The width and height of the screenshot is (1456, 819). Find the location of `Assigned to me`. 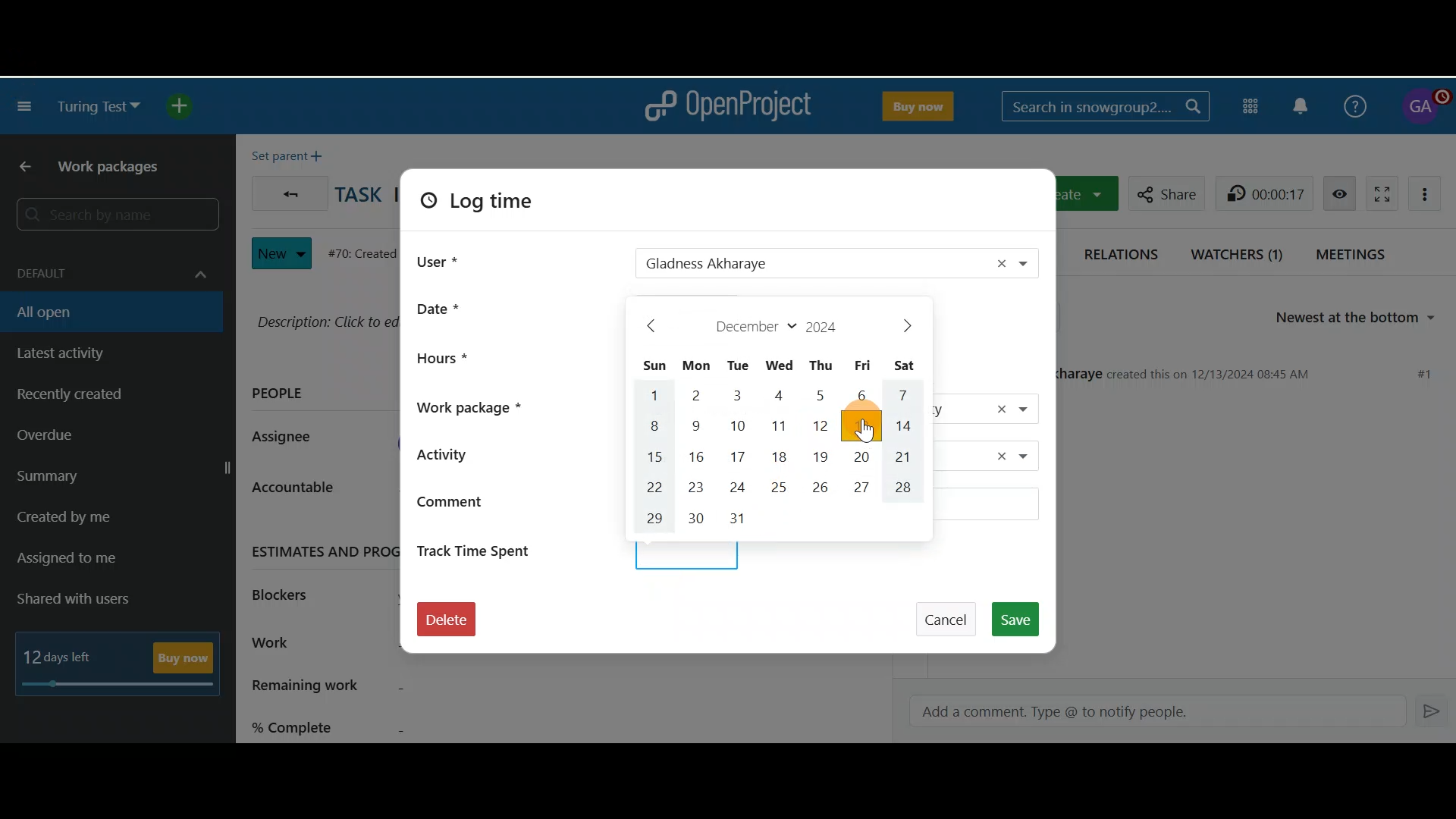

Assigned to me is located at coordinates (88, 560).